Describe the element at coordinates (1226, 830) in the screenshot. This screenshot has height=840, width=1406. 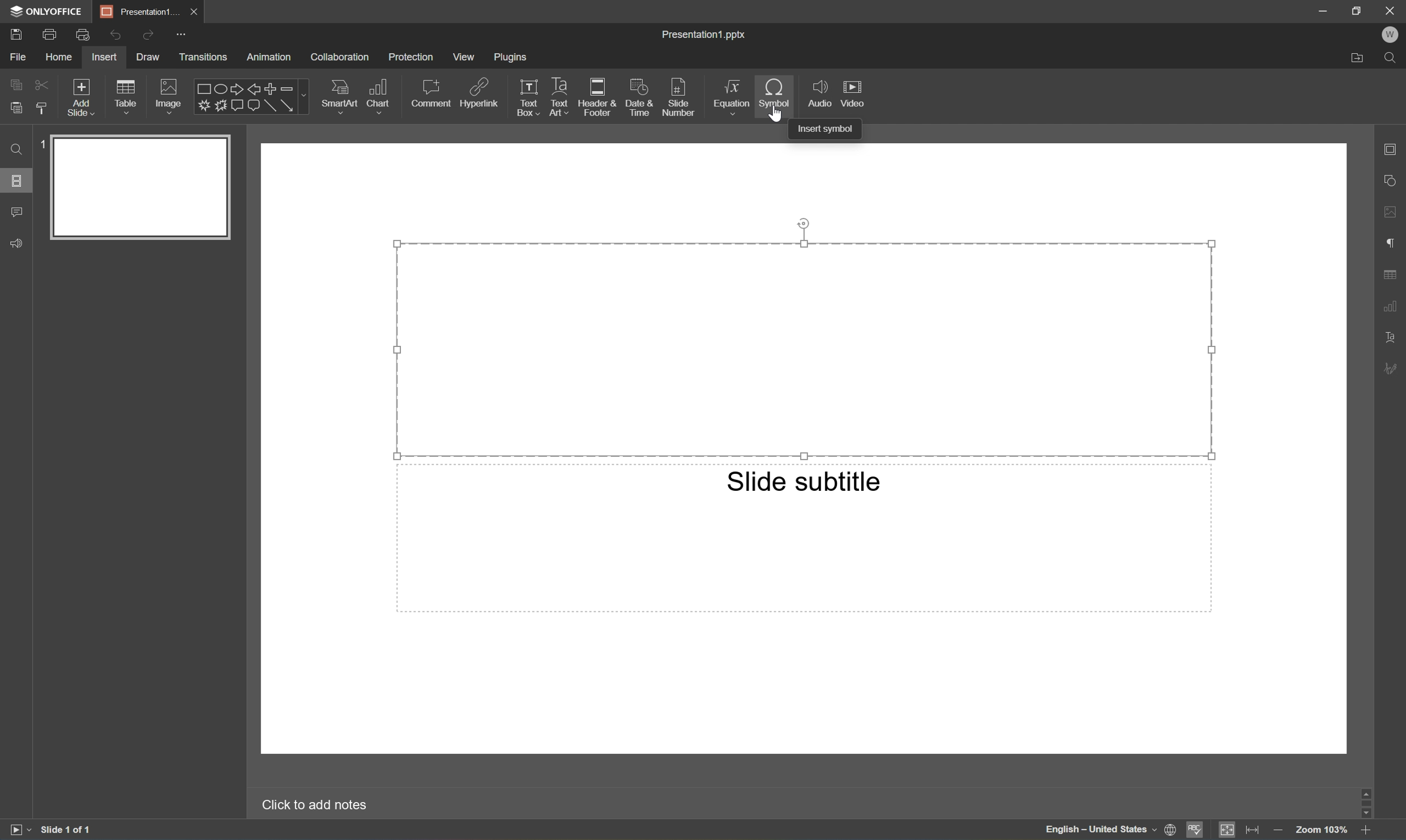
I see `Fit to slide` at that location.